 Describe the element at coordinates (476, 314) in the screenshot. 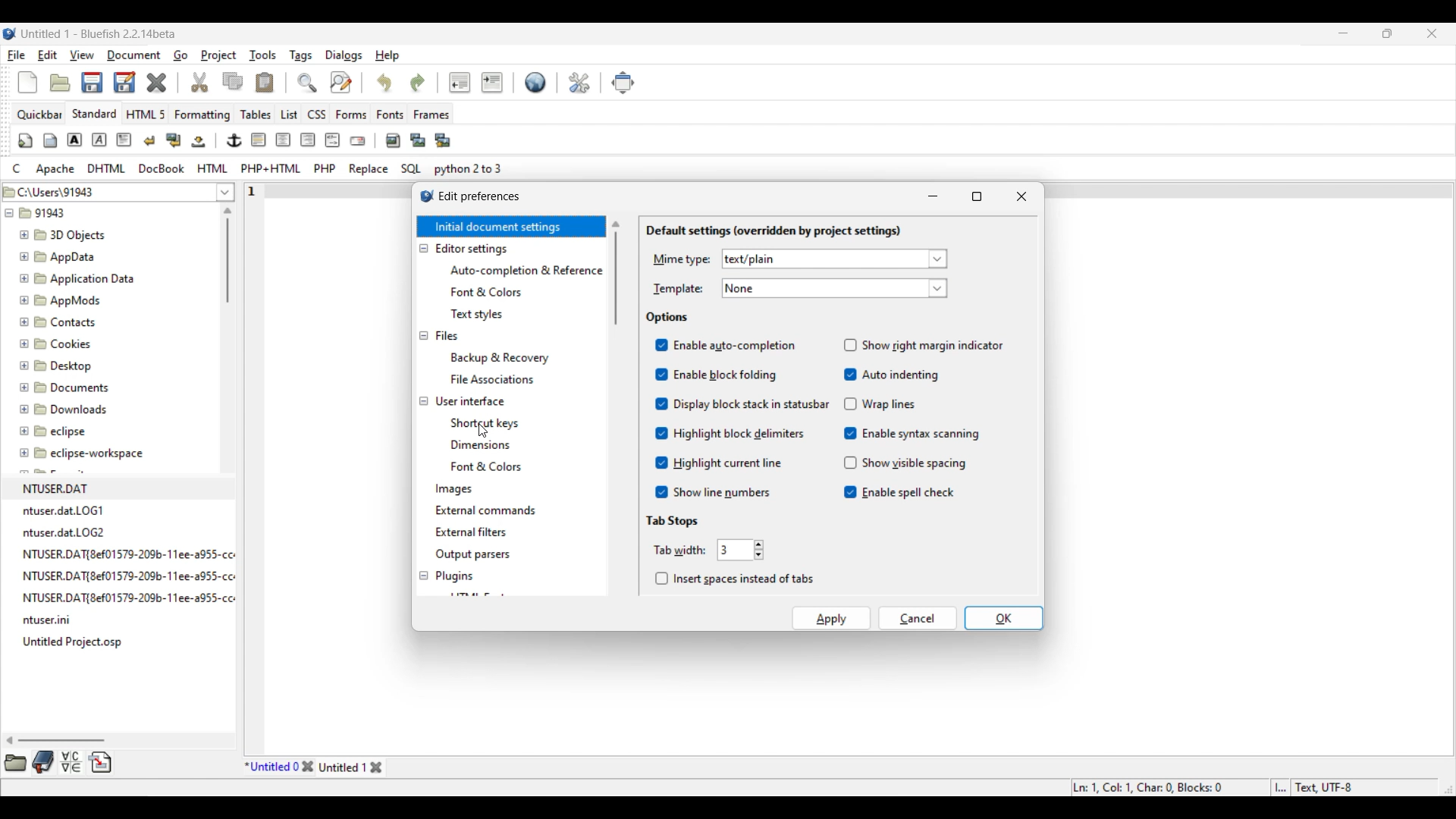

I see `Text styles` at that location.